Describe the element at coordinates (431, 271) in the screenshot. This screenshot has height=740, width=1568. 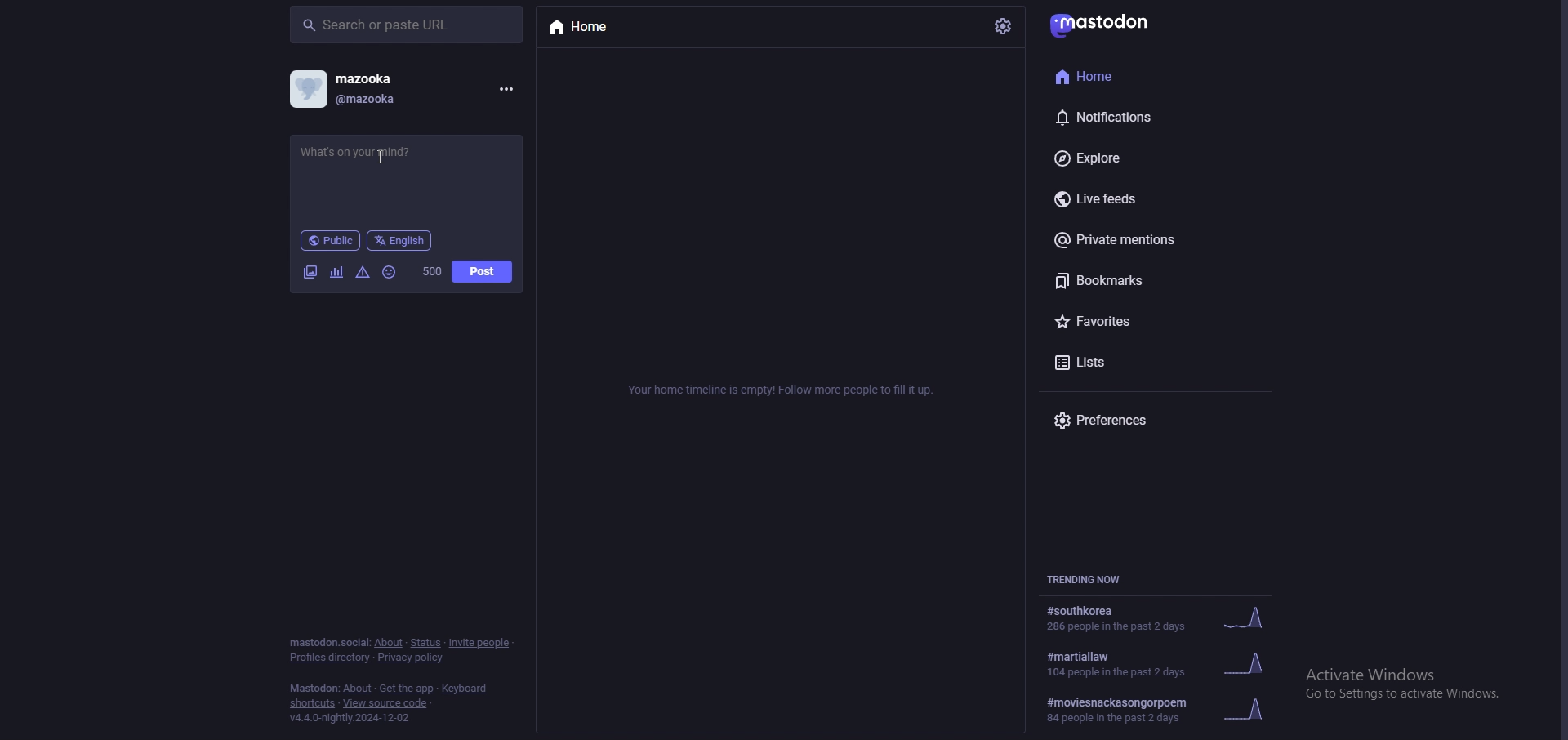
I see `word limit` at that location.